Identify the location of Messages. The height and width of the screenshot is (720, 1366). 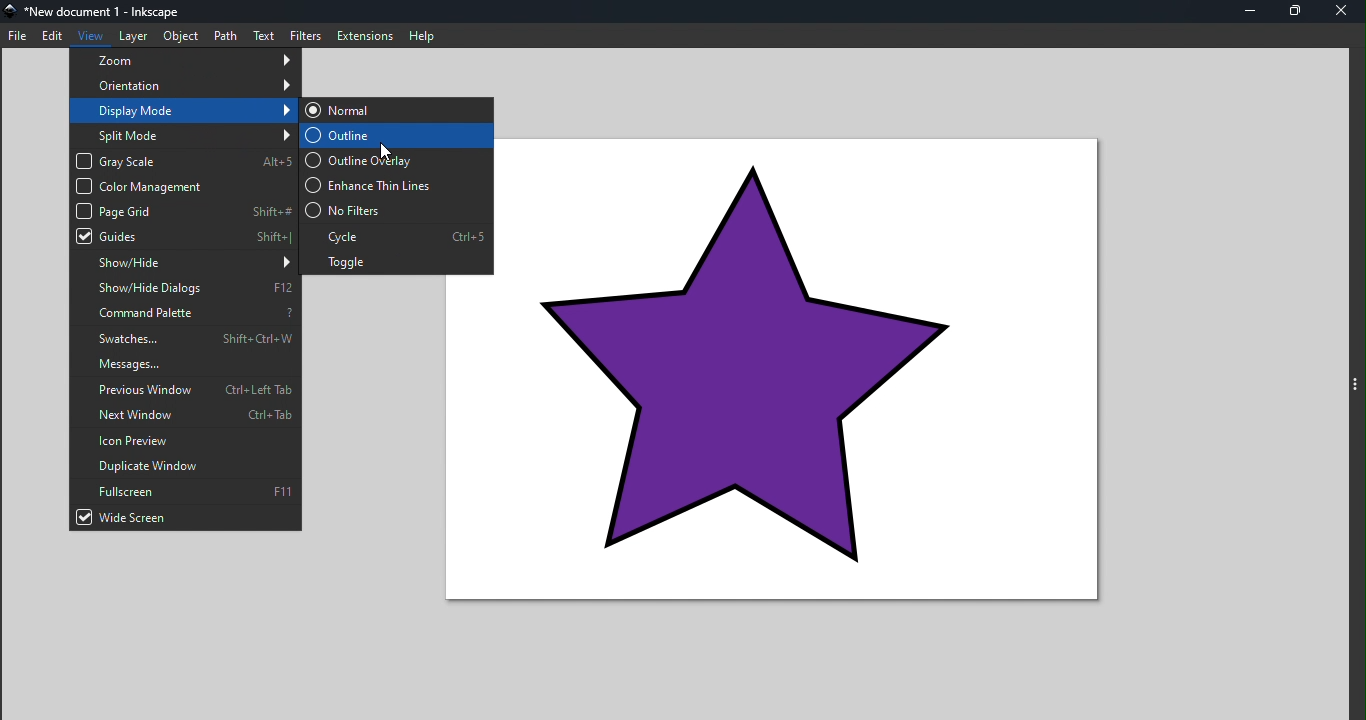
(188, 366).